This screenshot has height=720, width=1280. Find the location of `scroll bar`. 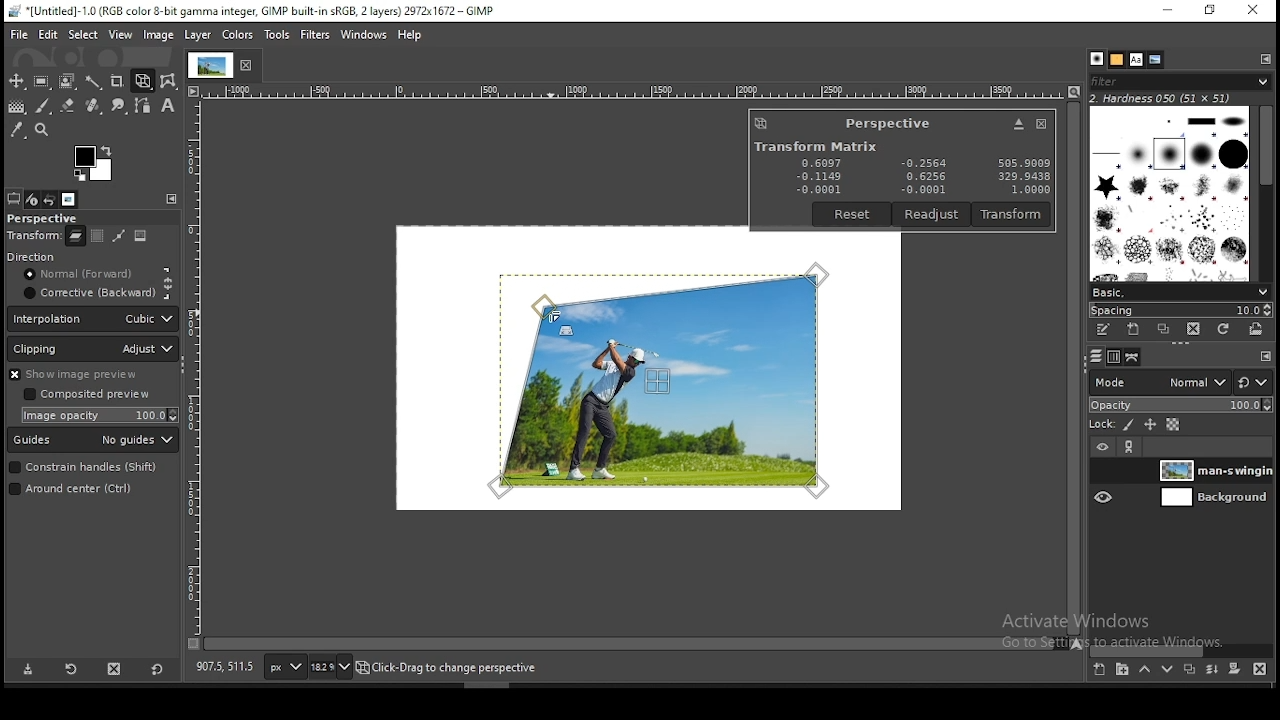

scroll bar is located at coordinates (1183, 648).